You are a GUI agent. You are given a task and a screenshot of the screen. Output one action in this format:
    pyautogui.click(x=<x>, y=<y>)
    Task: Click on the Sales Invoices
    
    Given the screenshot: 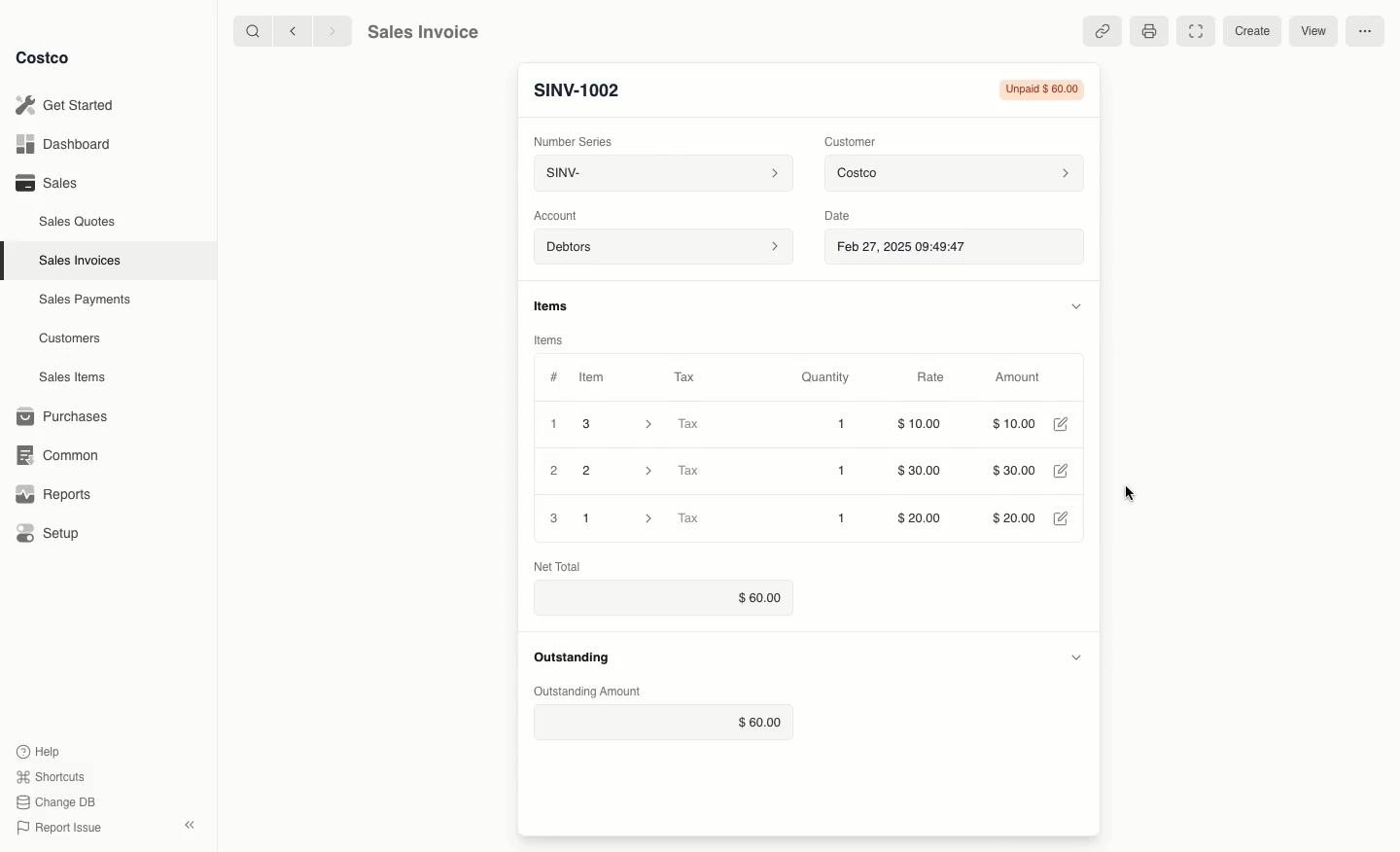 What is the action you would take?
    pyautogui.click(x=83, y=260)
    